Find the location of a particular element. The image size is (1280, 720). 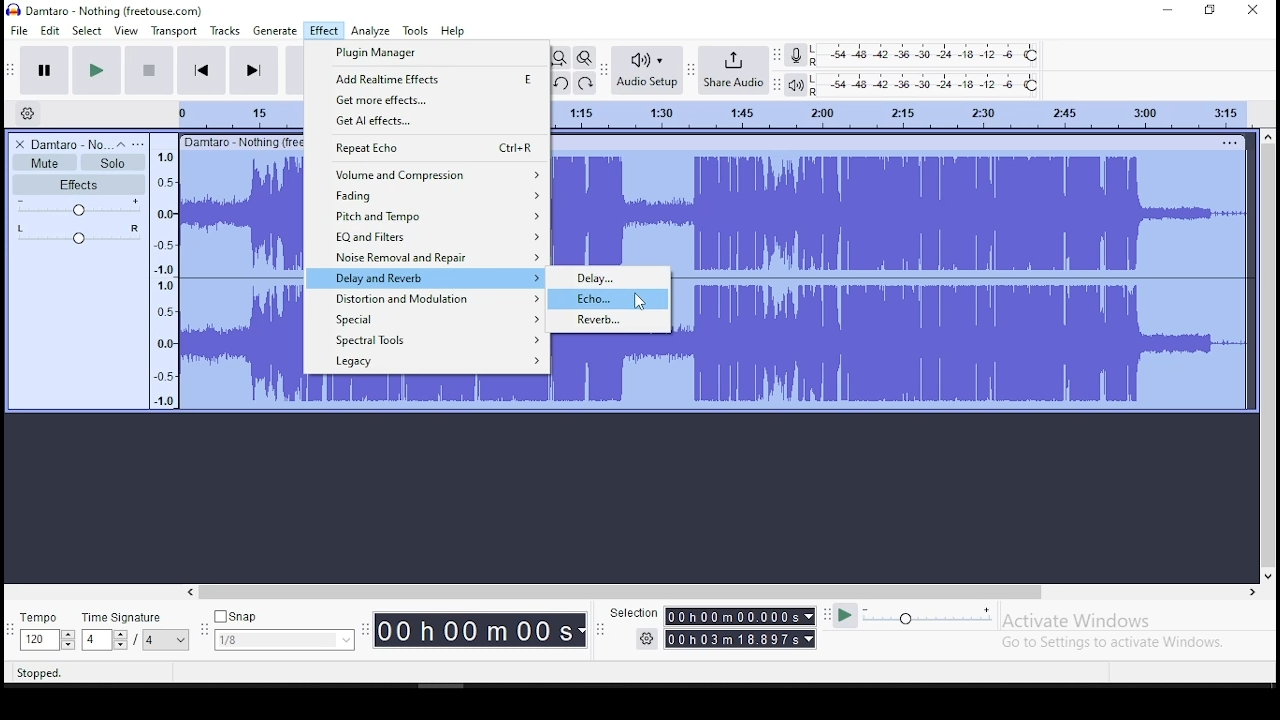

effects is located at coordinates (324, 31).